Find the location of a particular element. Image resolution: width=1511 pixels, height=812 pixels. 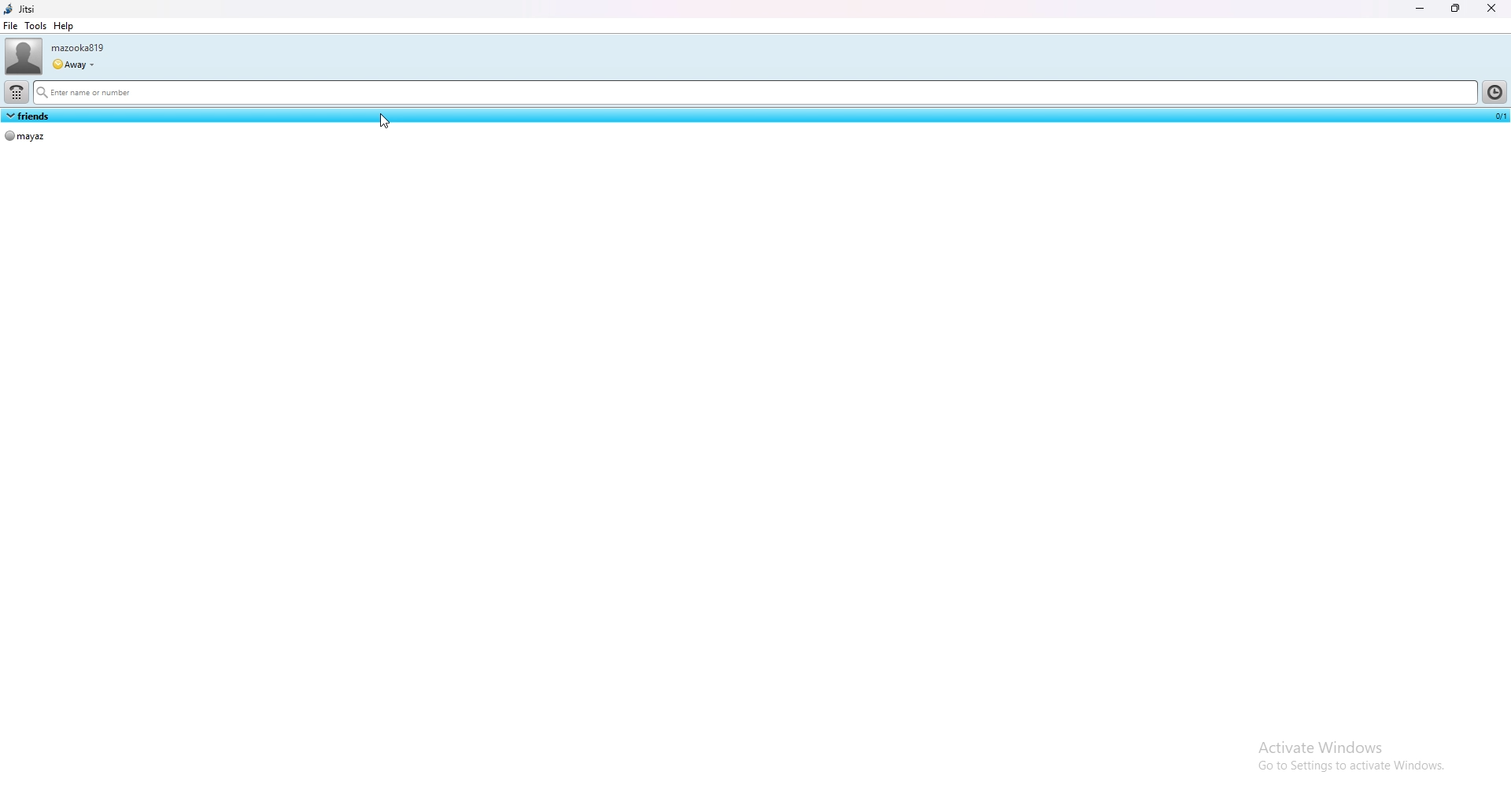

tools is located at coordinates (35, 25).